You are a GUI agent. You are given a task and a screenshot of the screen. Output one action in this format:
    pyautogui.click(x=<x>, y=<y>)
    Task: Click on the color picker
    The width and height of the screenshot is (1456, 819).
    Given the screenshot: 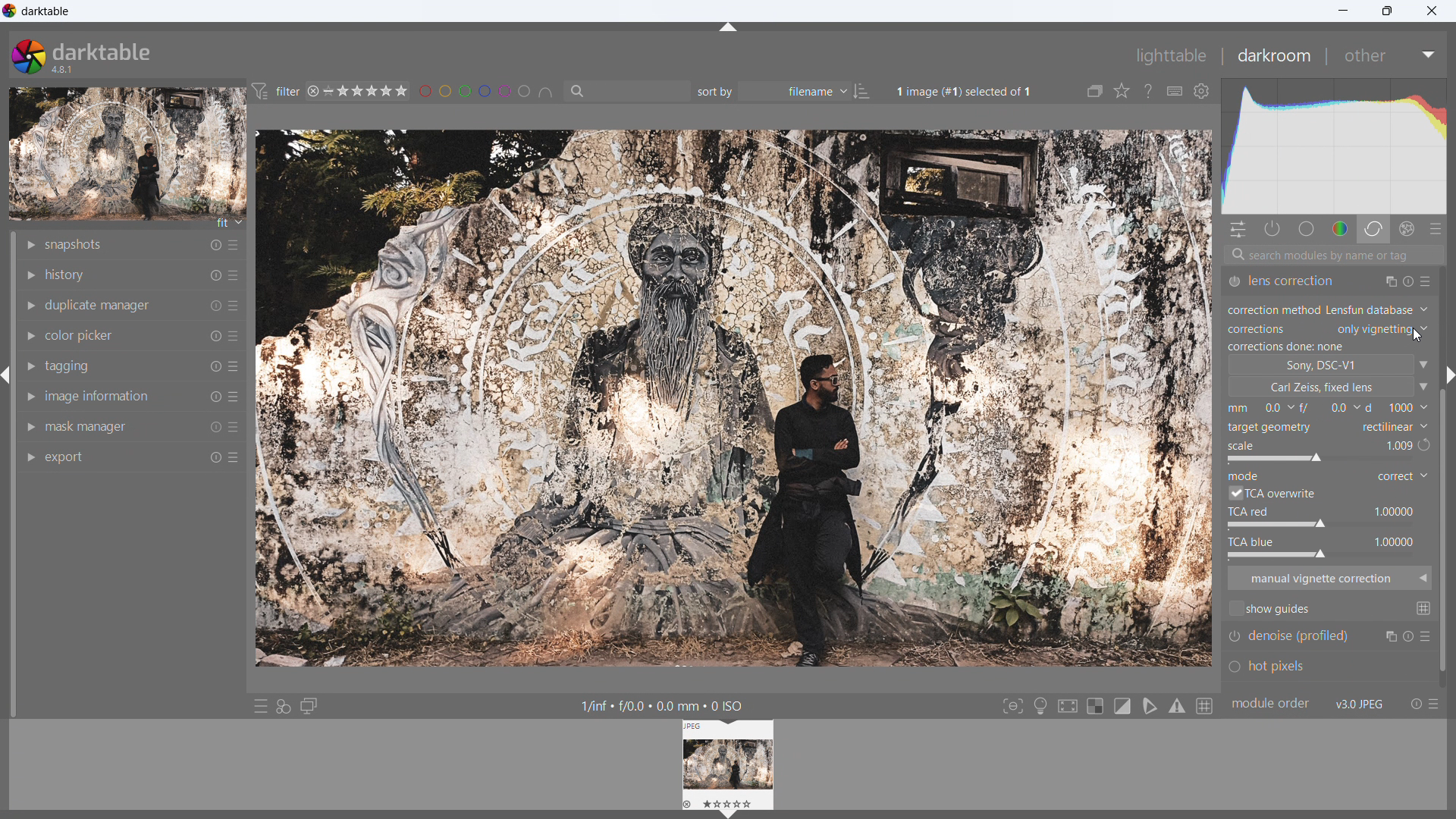 What is the action you would take?
    pyautogui.click(x=80, y=336)
    